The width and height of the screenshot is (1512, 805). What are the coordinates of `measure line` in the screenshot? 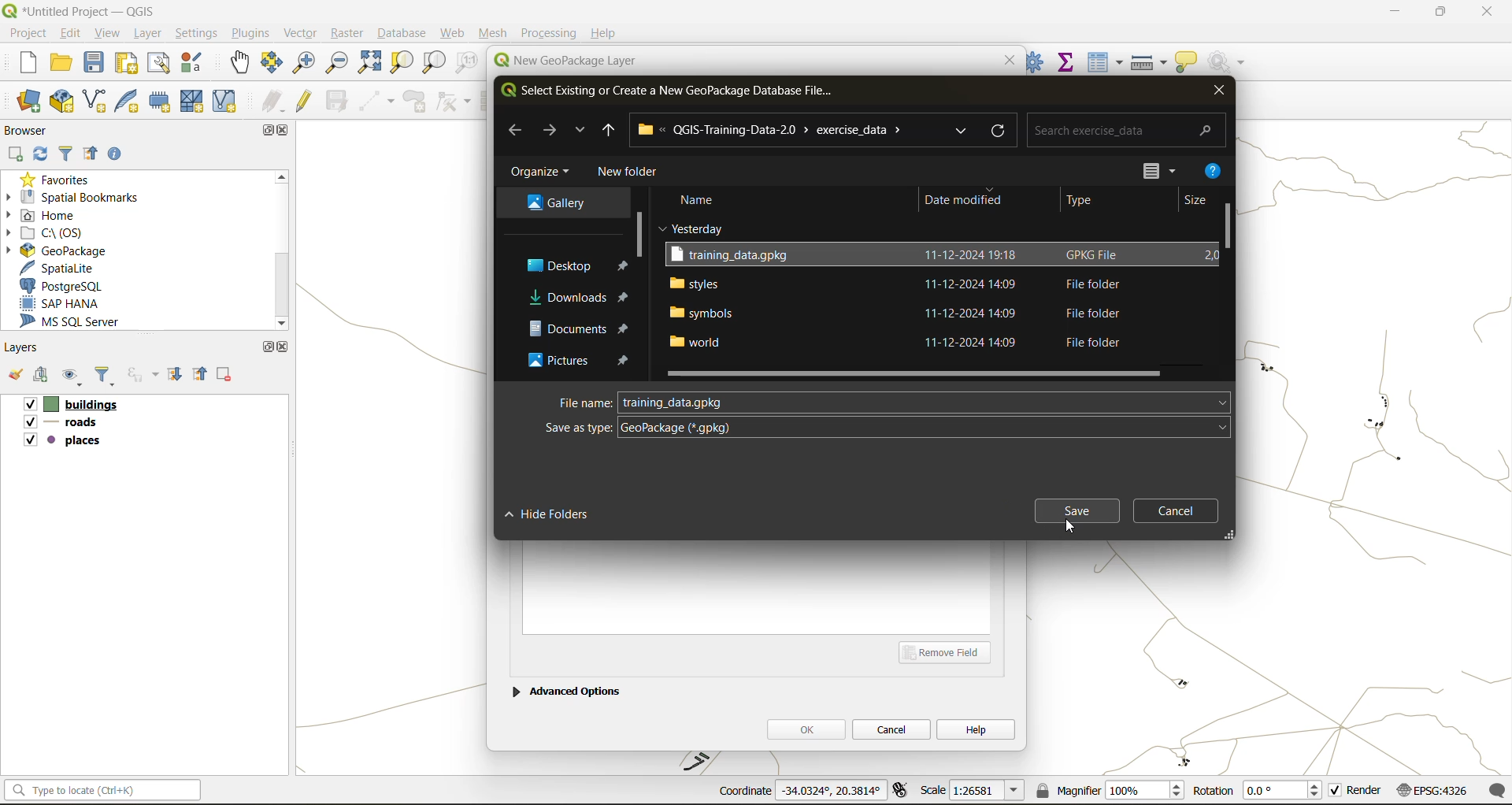 It's located at (1151, 62).